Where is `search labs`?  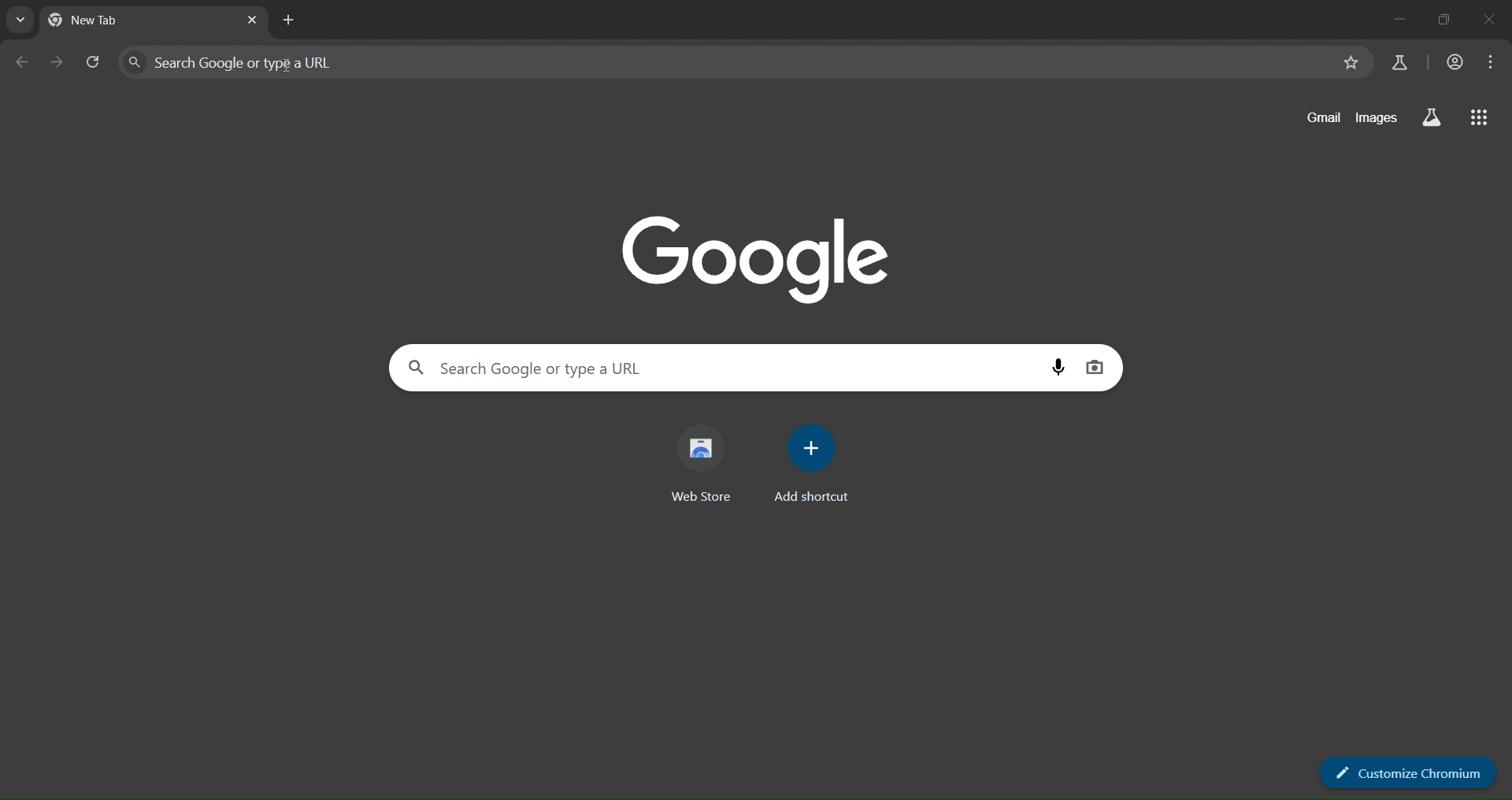 search labs is located at coordinates (1432, 117).